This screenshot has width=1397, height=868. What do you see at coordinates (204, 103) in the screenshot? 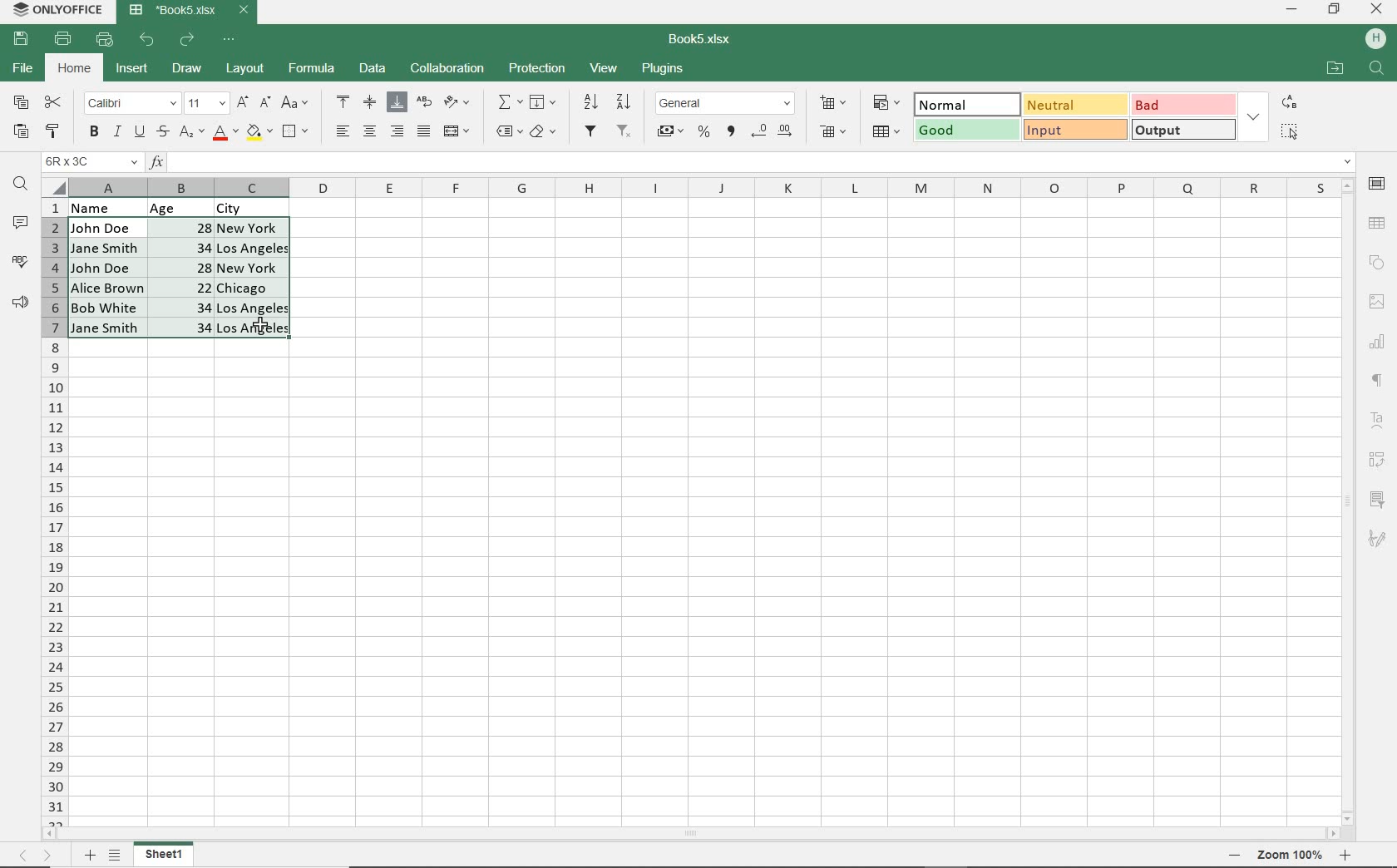
I see `FONT SIZE` at bounding box center [204, 103].